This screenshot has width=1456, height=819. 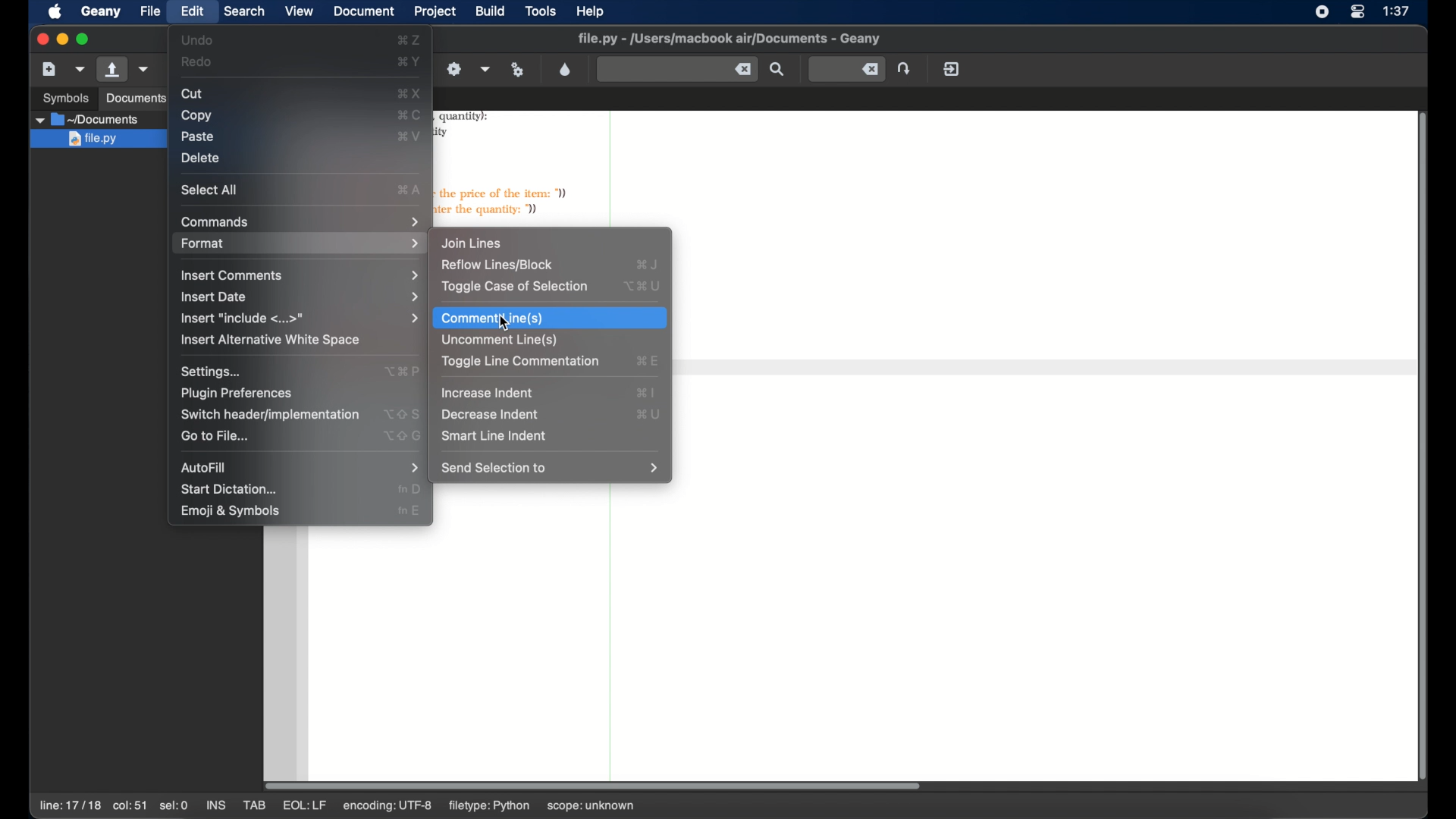 What do you see at coordinates (41, 39) in the screenshot?
I see `close` at bounding box center [41, 39].